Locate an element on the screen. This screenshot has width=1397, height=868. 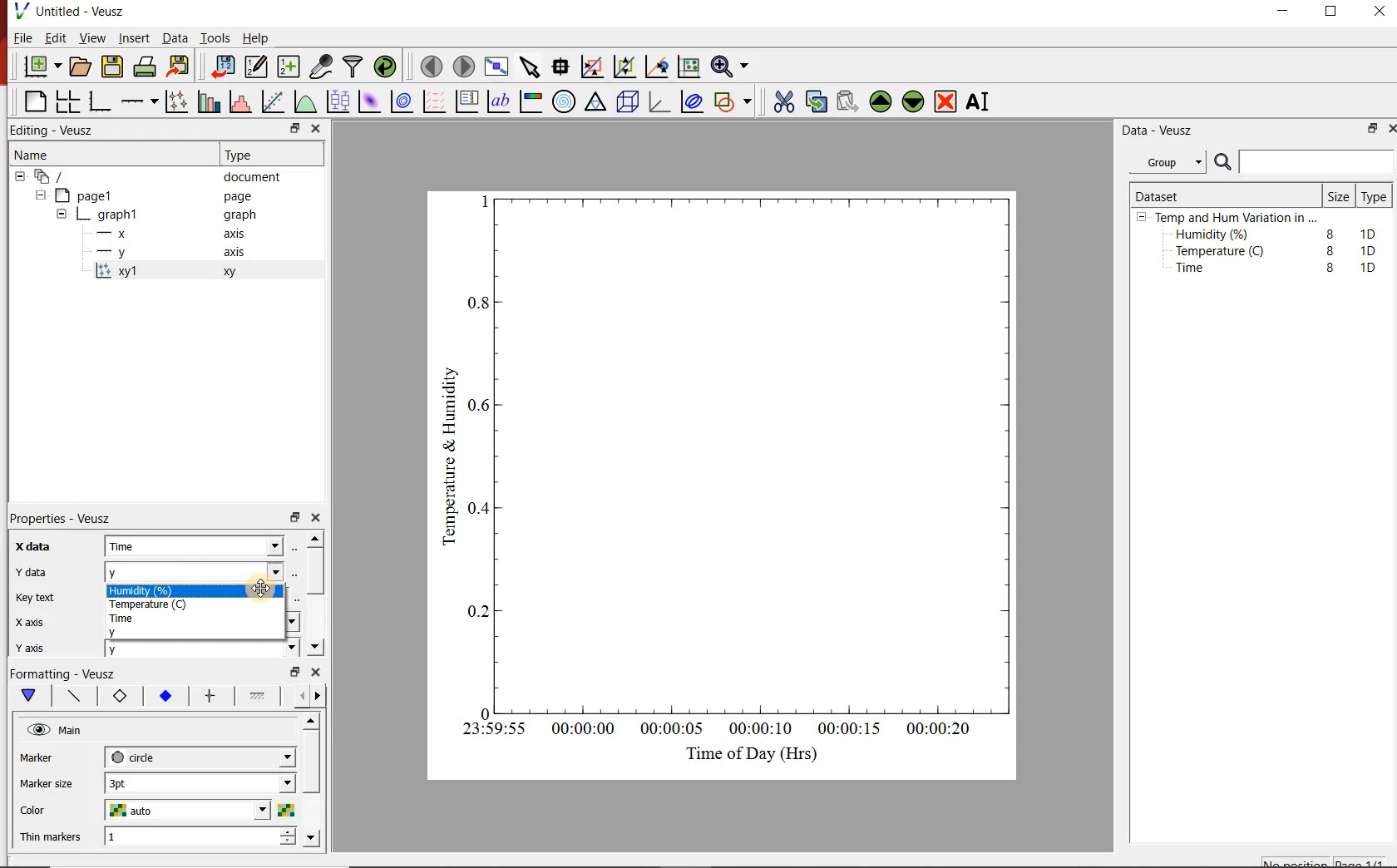
main formatting is located at coordinates (30, 697).